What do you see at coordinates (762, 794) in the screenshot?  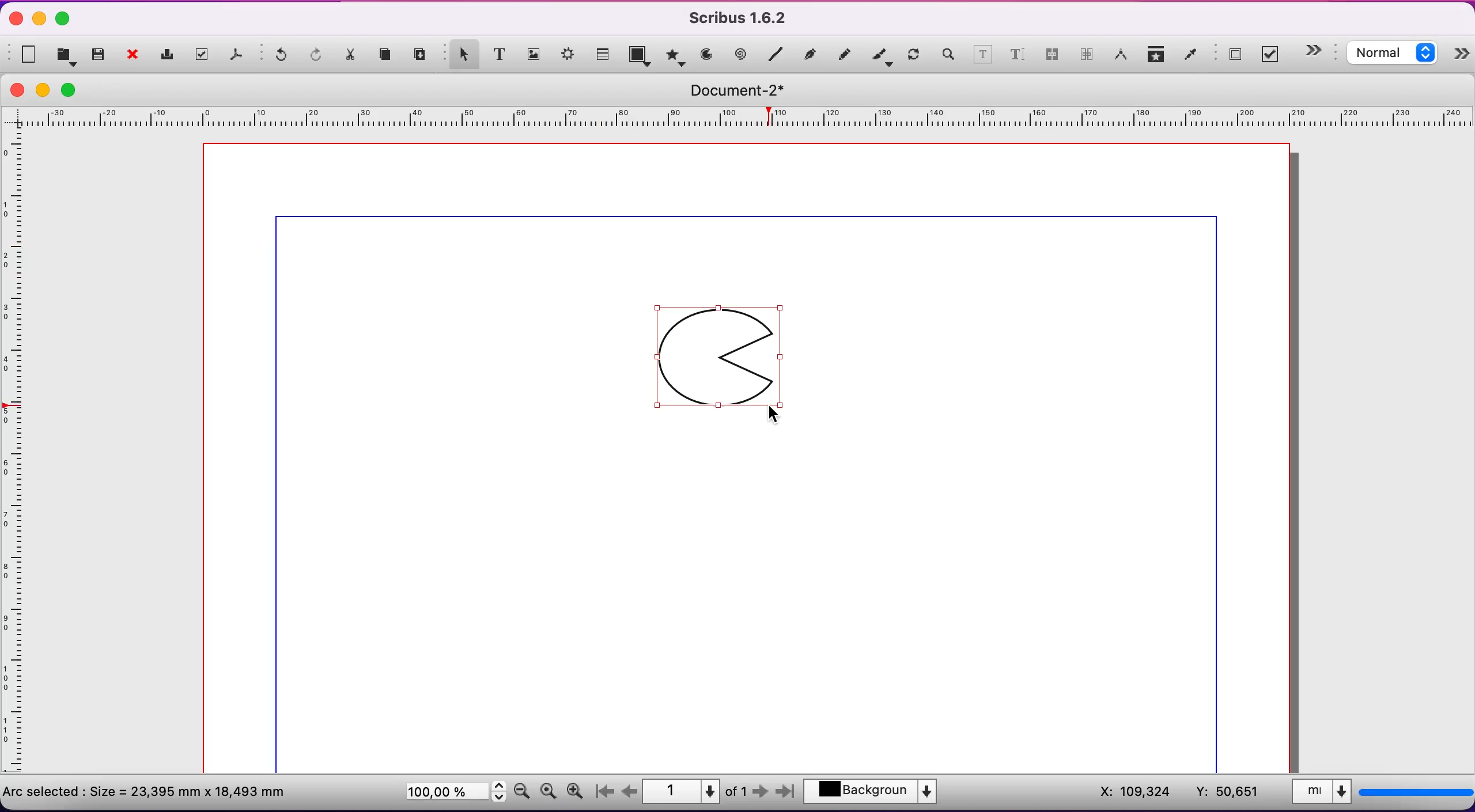 I see `go to the next page` at bounding box center [762, 794].